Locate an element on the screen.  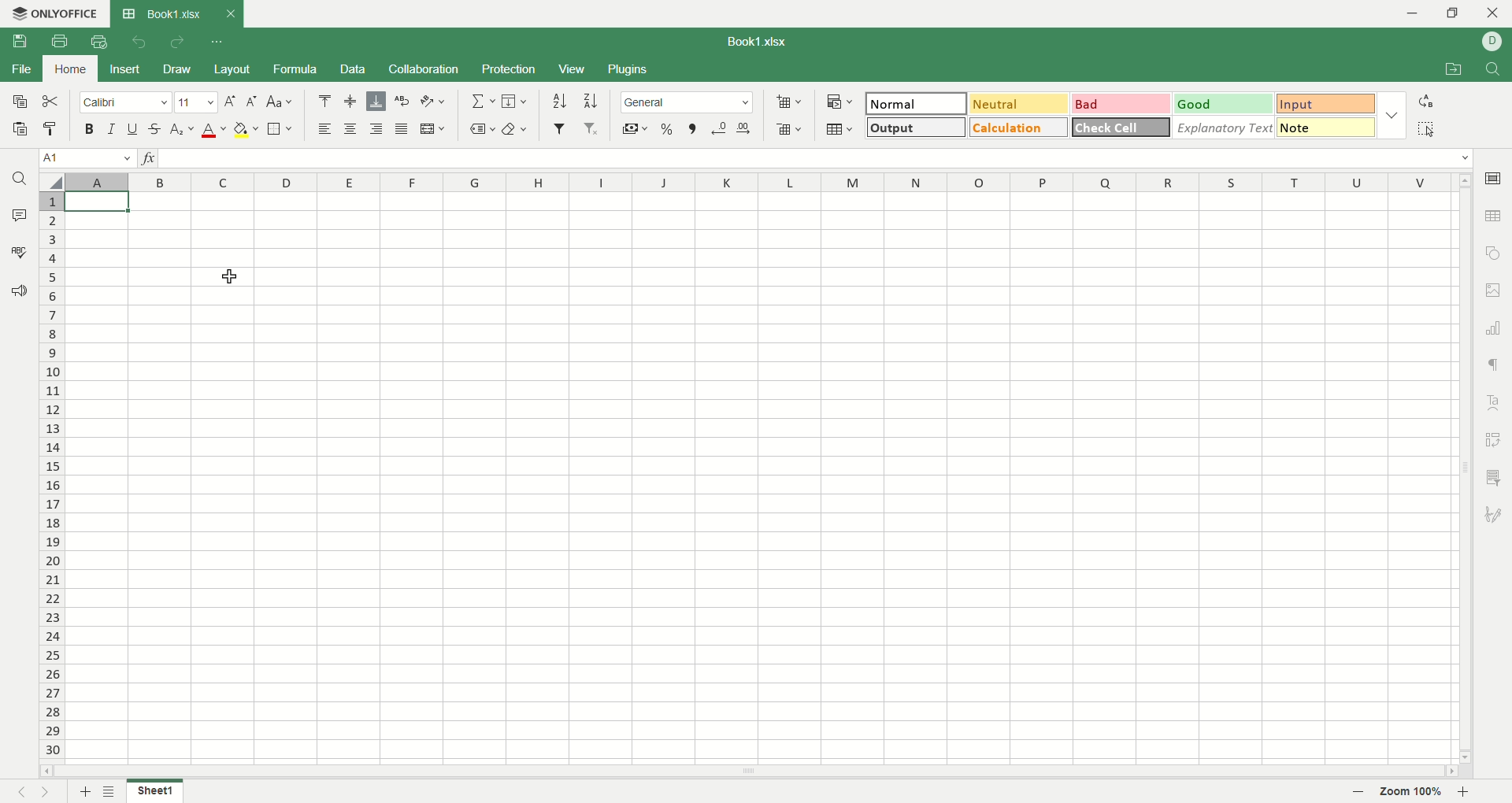
cell name is located at coordinates (86, 160).